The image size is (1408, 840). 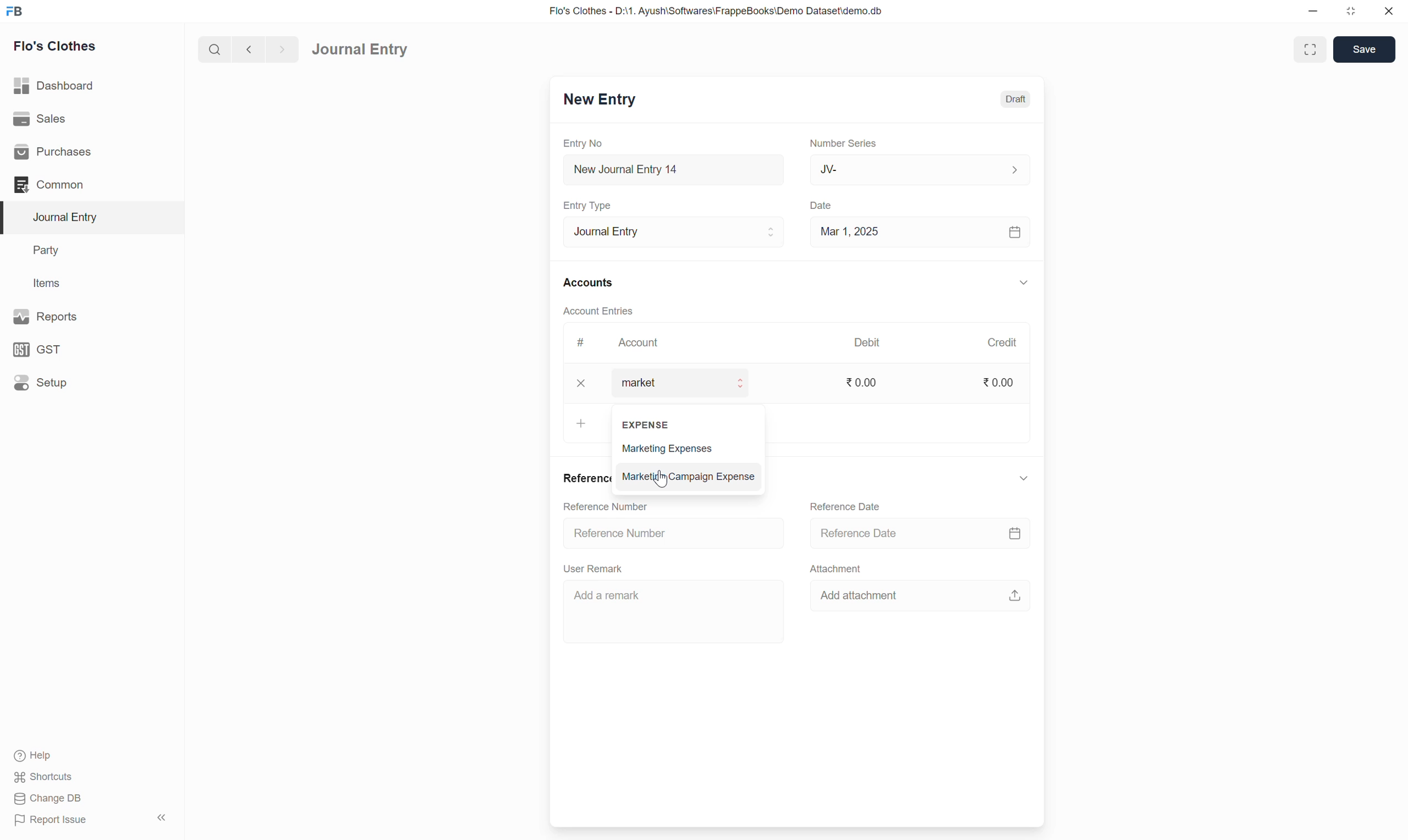 I want to click on Entry Type, so click(x=591, y=205).